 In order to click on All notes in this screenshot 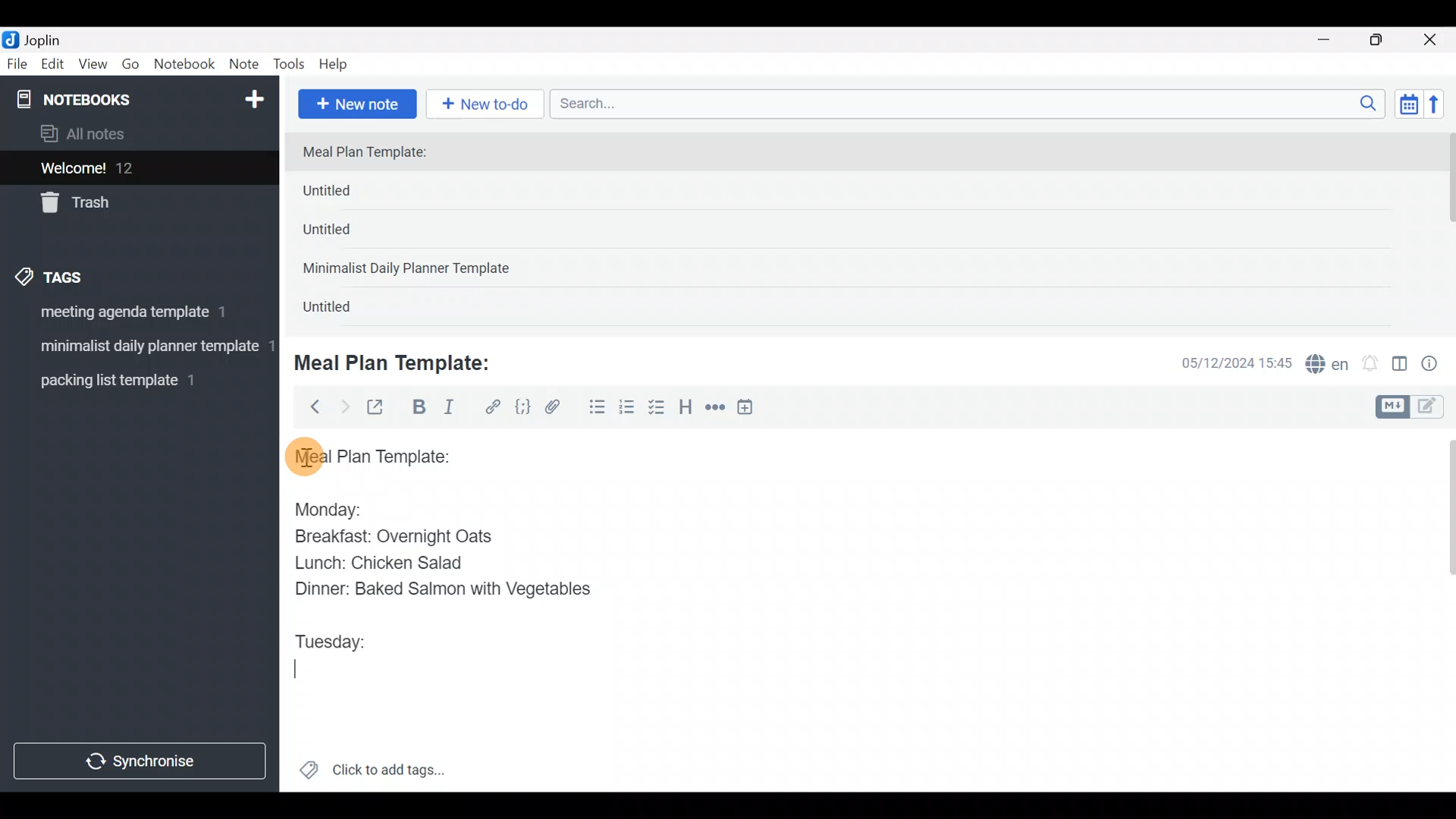, I will do `click(136, 135)`.